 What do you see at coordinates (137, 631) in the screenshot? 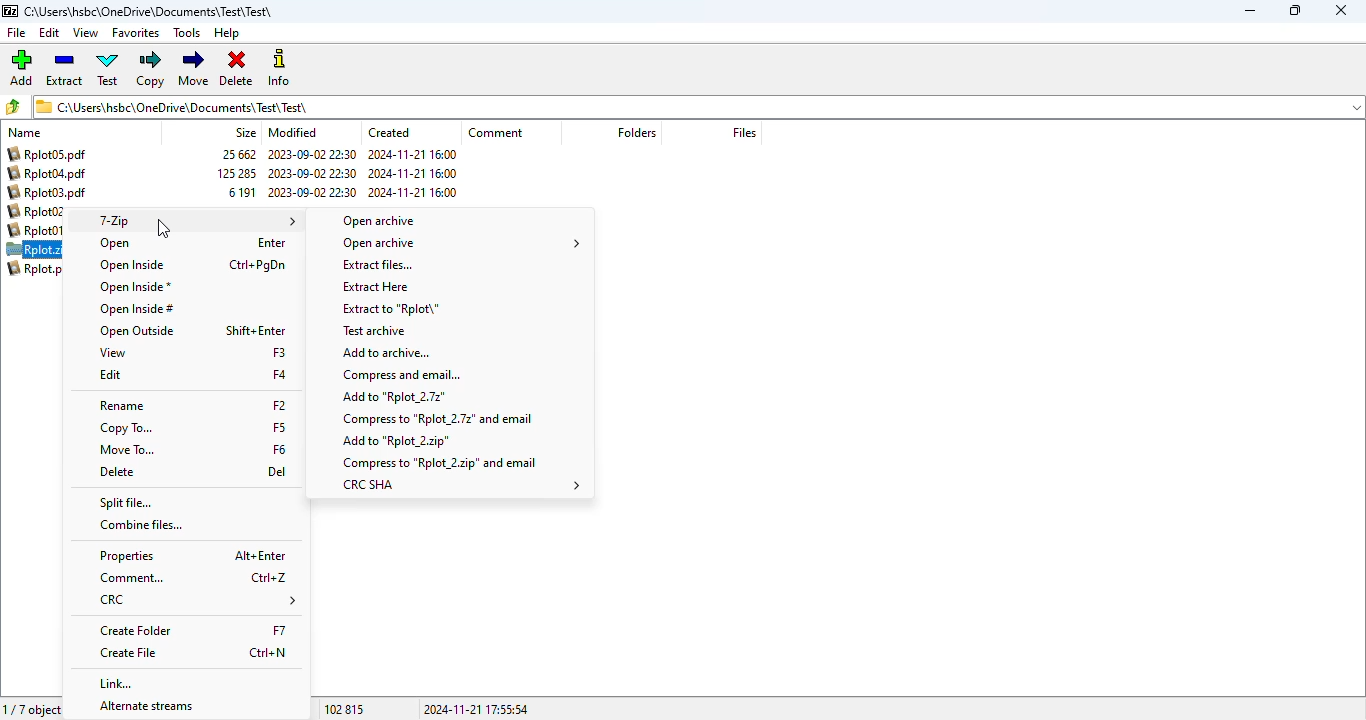
I see `Create folder` at bounding box center [137, 631].